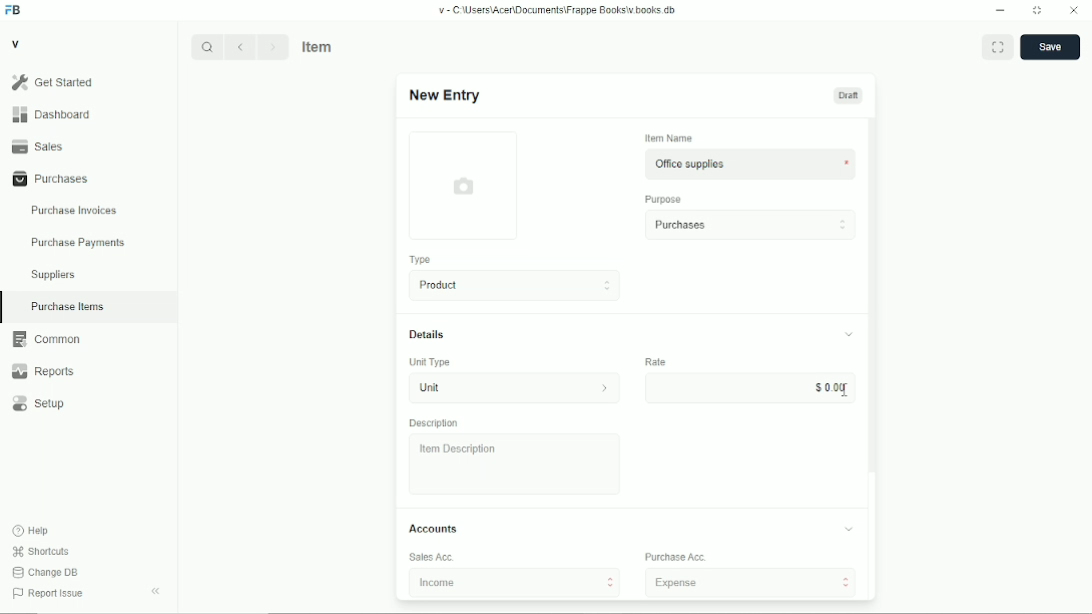 The width and height of the screenshot is (1092, 614). Describe the element at coordinates (207, 47) in the screenshot. I see `Search` at that location.